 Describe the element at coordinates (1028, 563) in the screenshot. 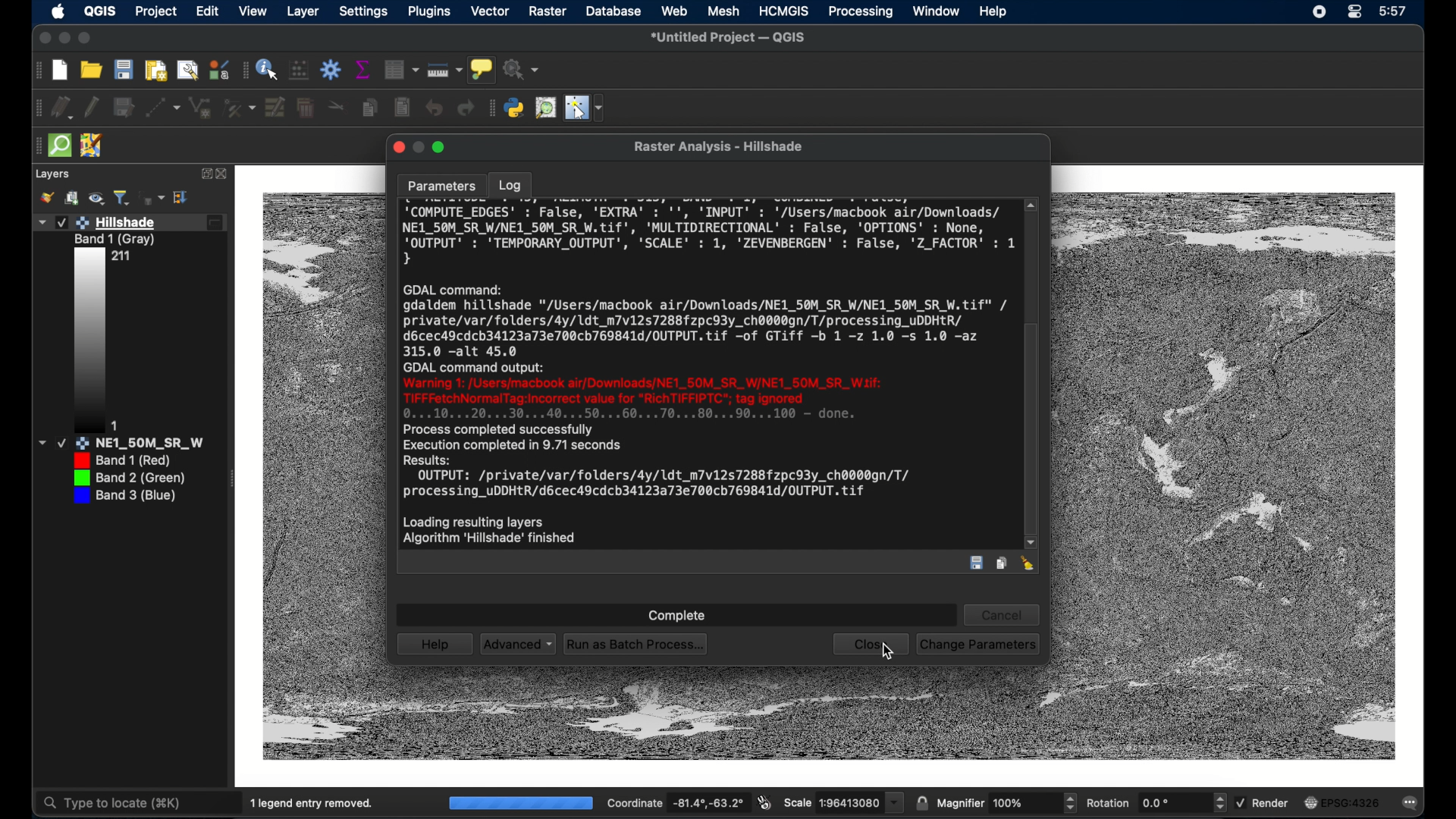

I see `clear log entry` at that location.